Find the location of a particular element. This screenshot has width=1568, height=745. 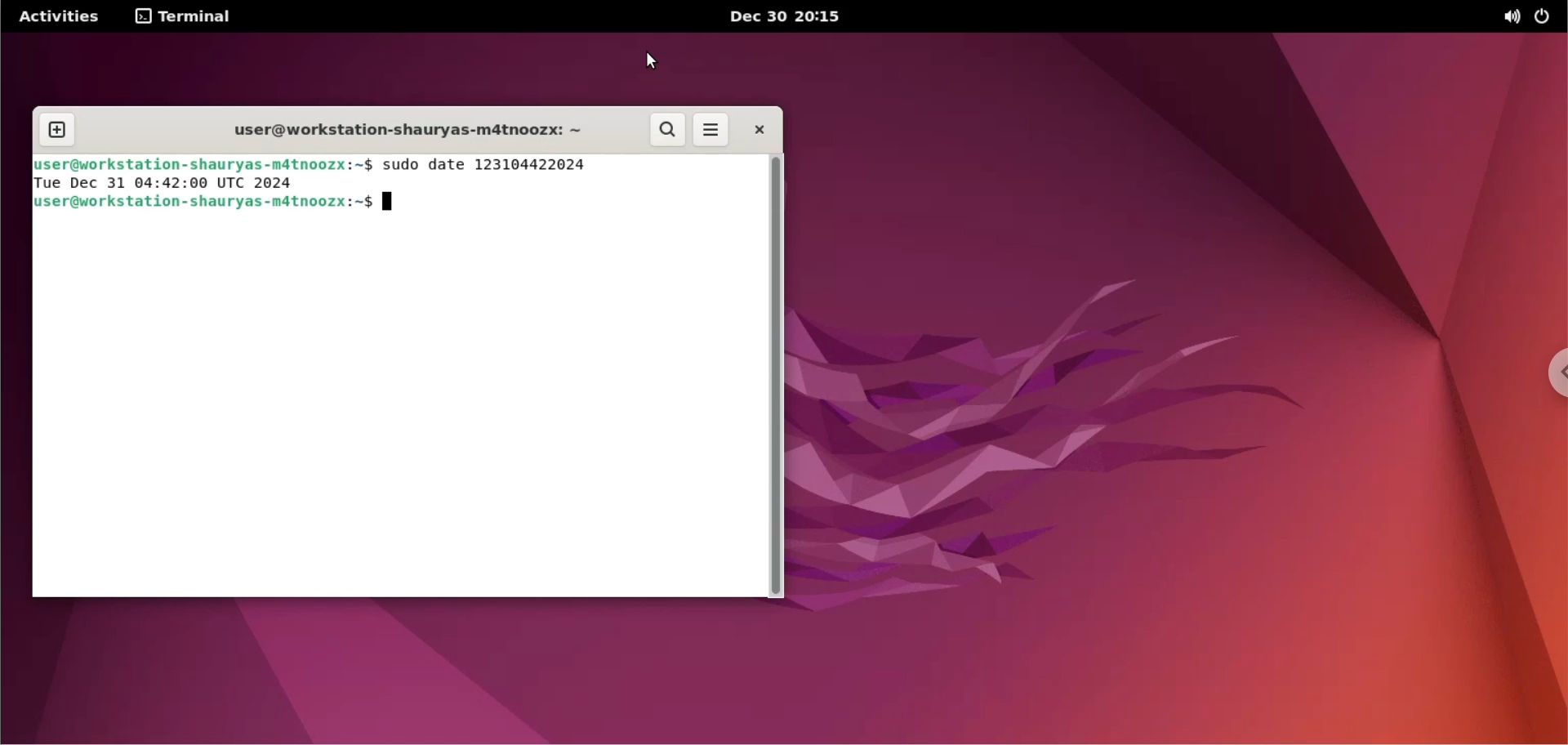

TERMINAL is located at coordinates (185, 16).